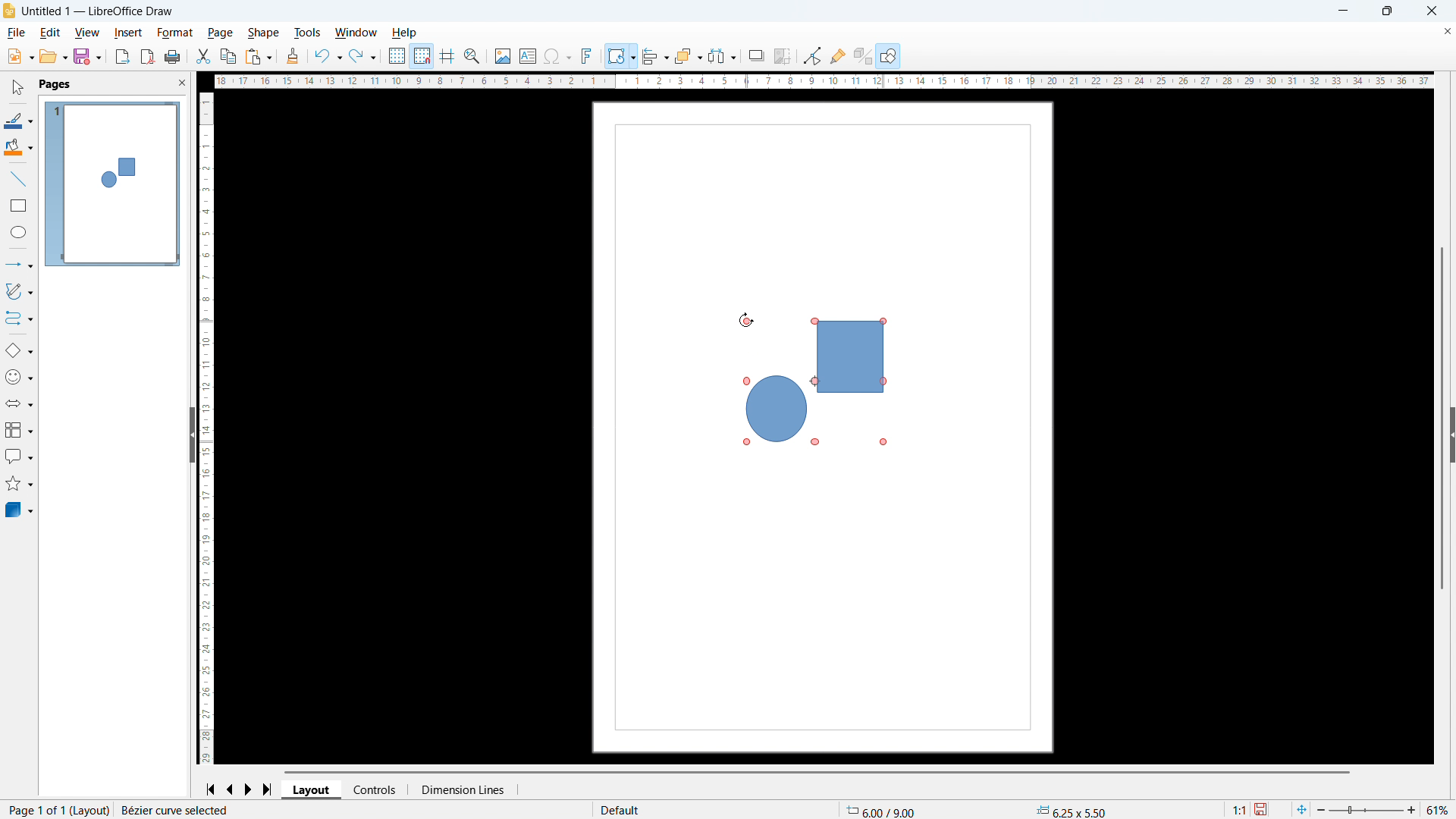 The image size is (1456, 819). What do you see at coordinates (187, 434) in the screenshot?
I see `Sidebar` at bounding box center [187, 434].